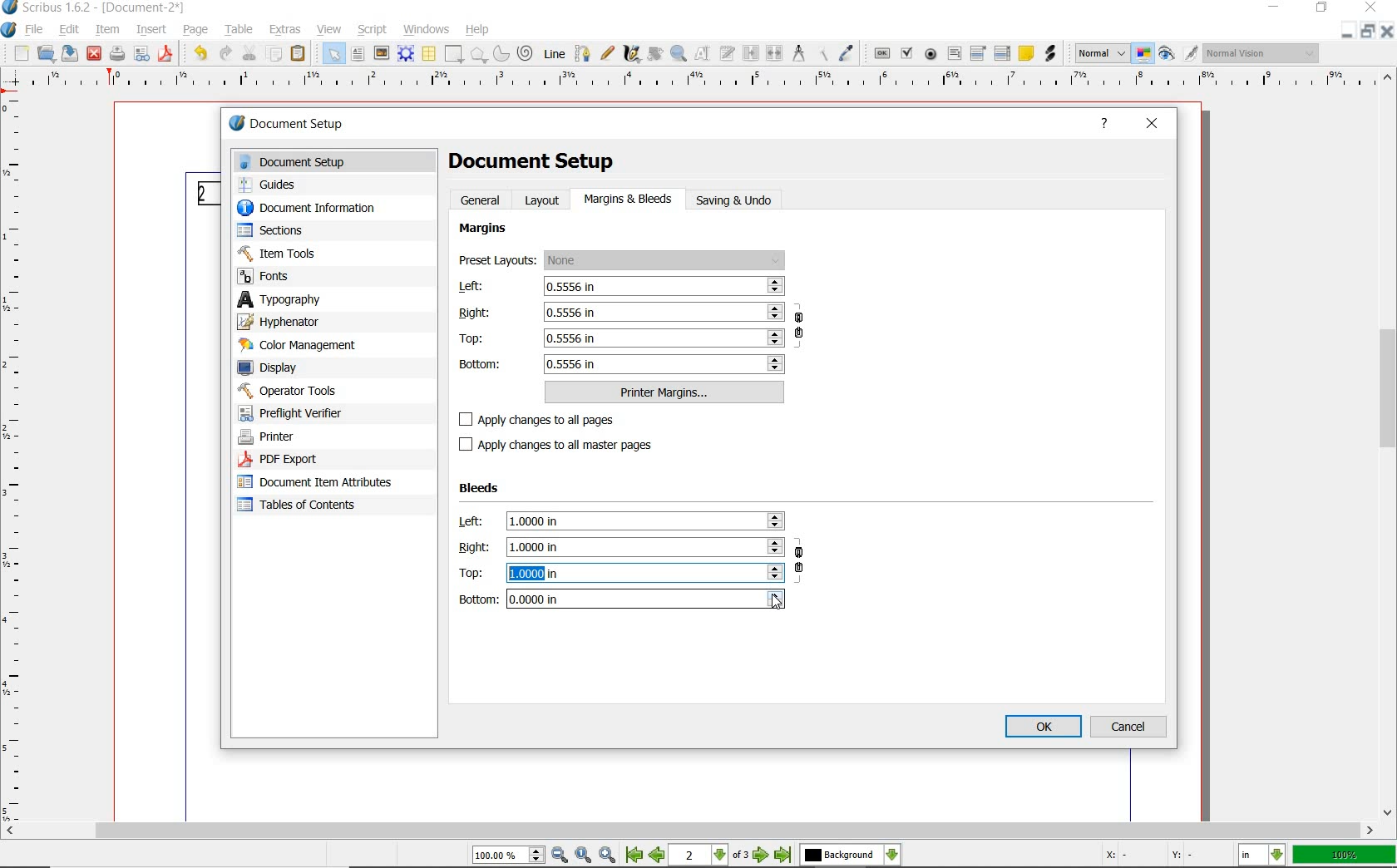 This screenshot has width=1397, height=868. I want to click on edit contents of frame, so click(704, 54).